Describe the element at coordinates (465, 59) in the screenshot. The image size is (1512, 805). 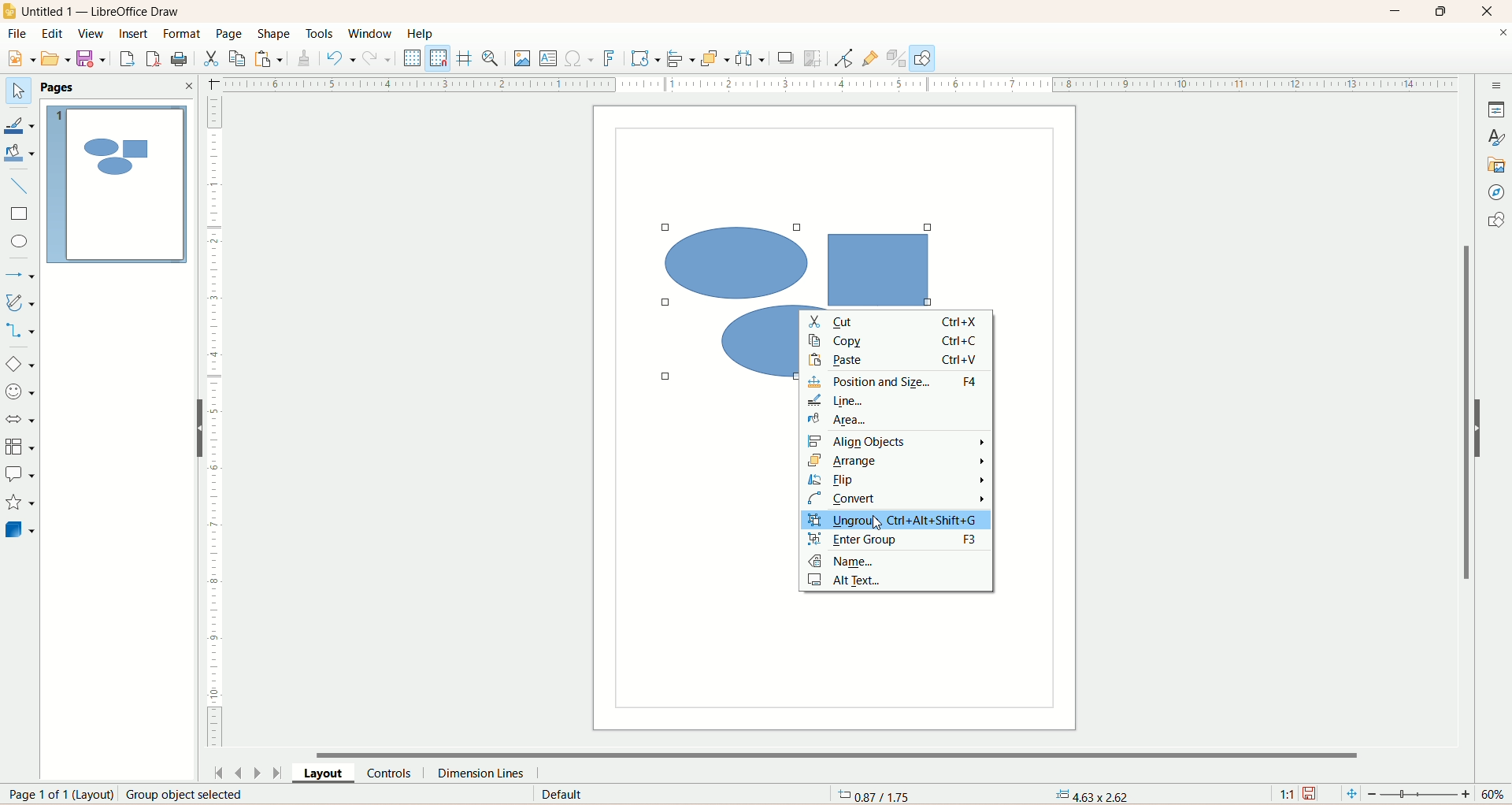
I see `helplines` at that location.